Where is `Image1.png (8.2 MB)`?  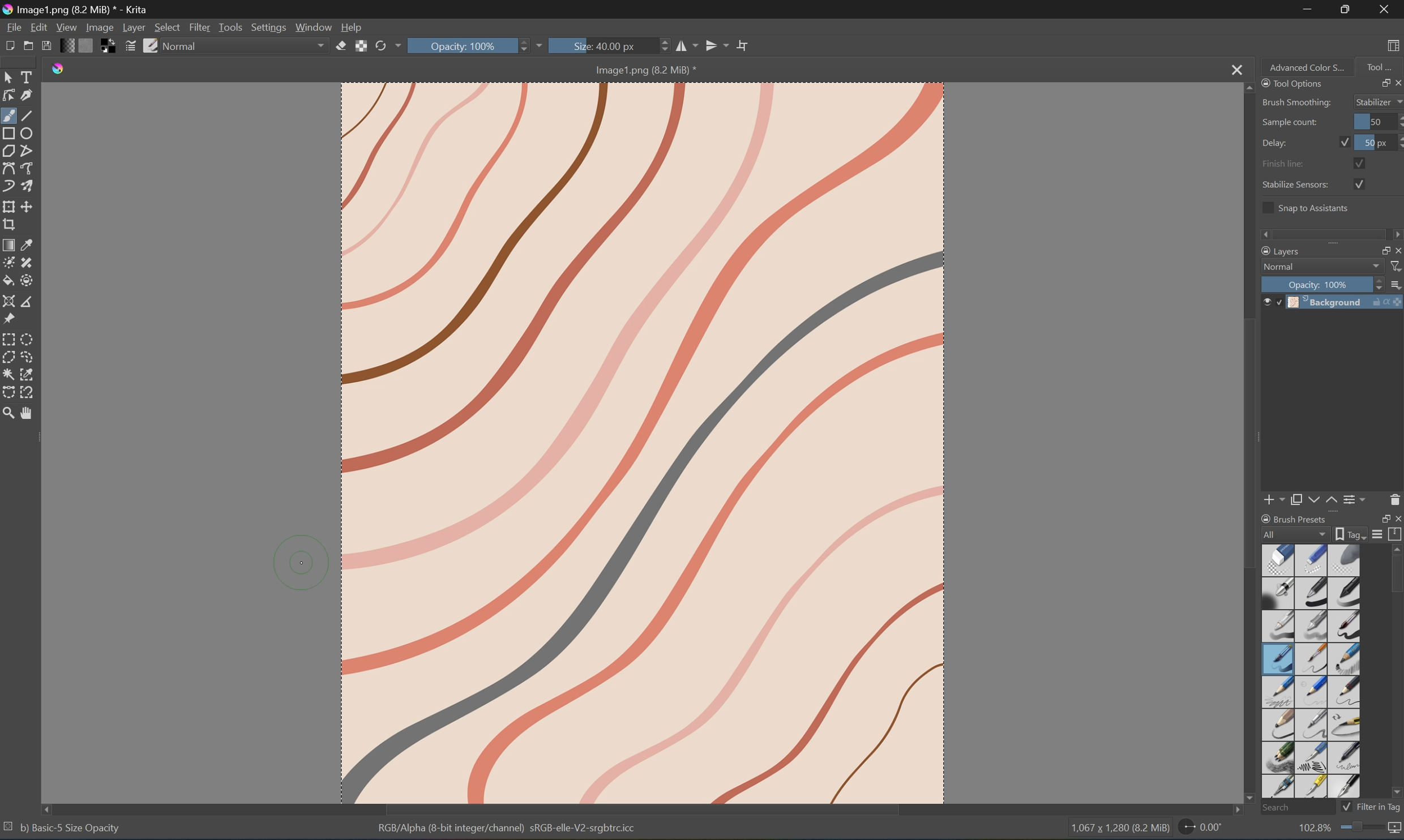 Image1.png (8.2 MB) is located at coordinates (641, 70).